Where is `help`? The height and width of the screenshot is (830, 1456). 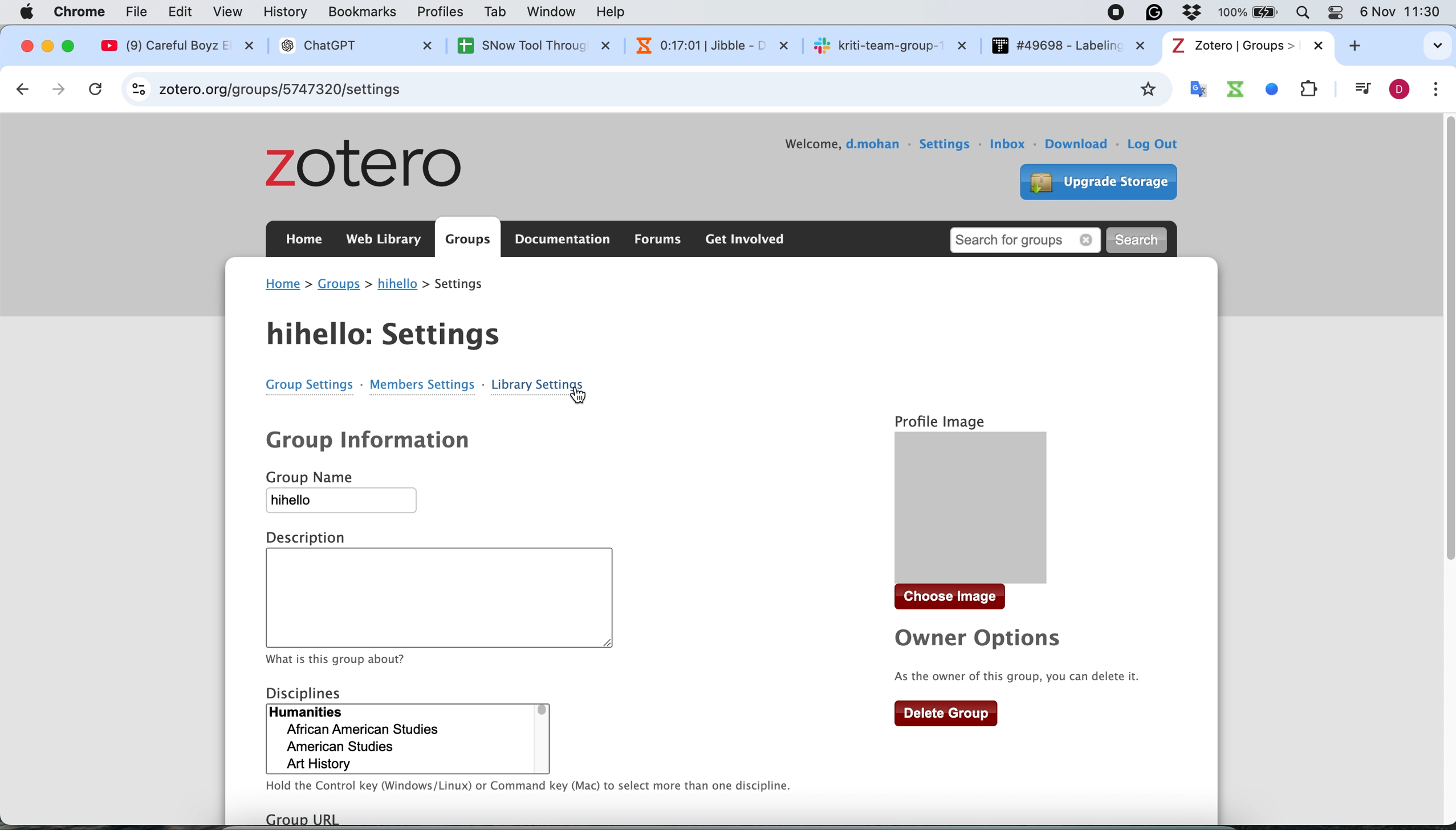
help is located at coordinates (616, 11).